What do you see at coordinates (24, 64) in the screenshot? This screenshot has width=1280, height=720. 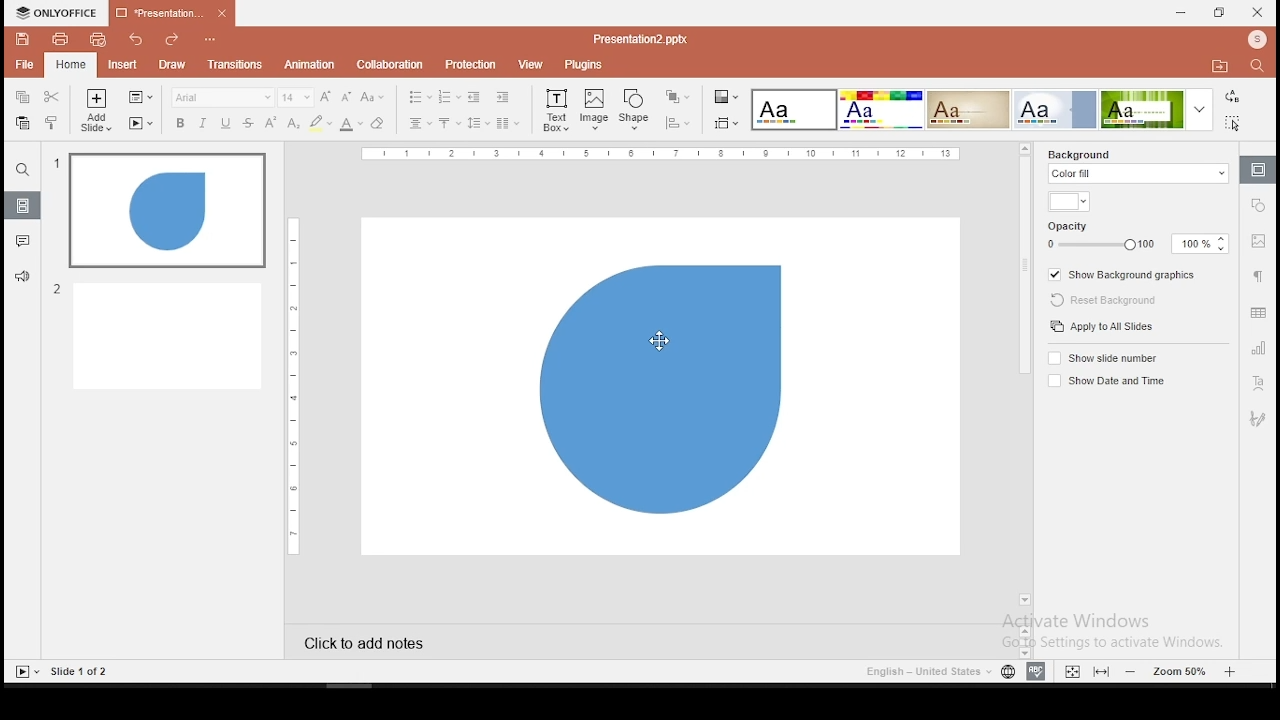 I see `file` at bounding box center [24, 64].